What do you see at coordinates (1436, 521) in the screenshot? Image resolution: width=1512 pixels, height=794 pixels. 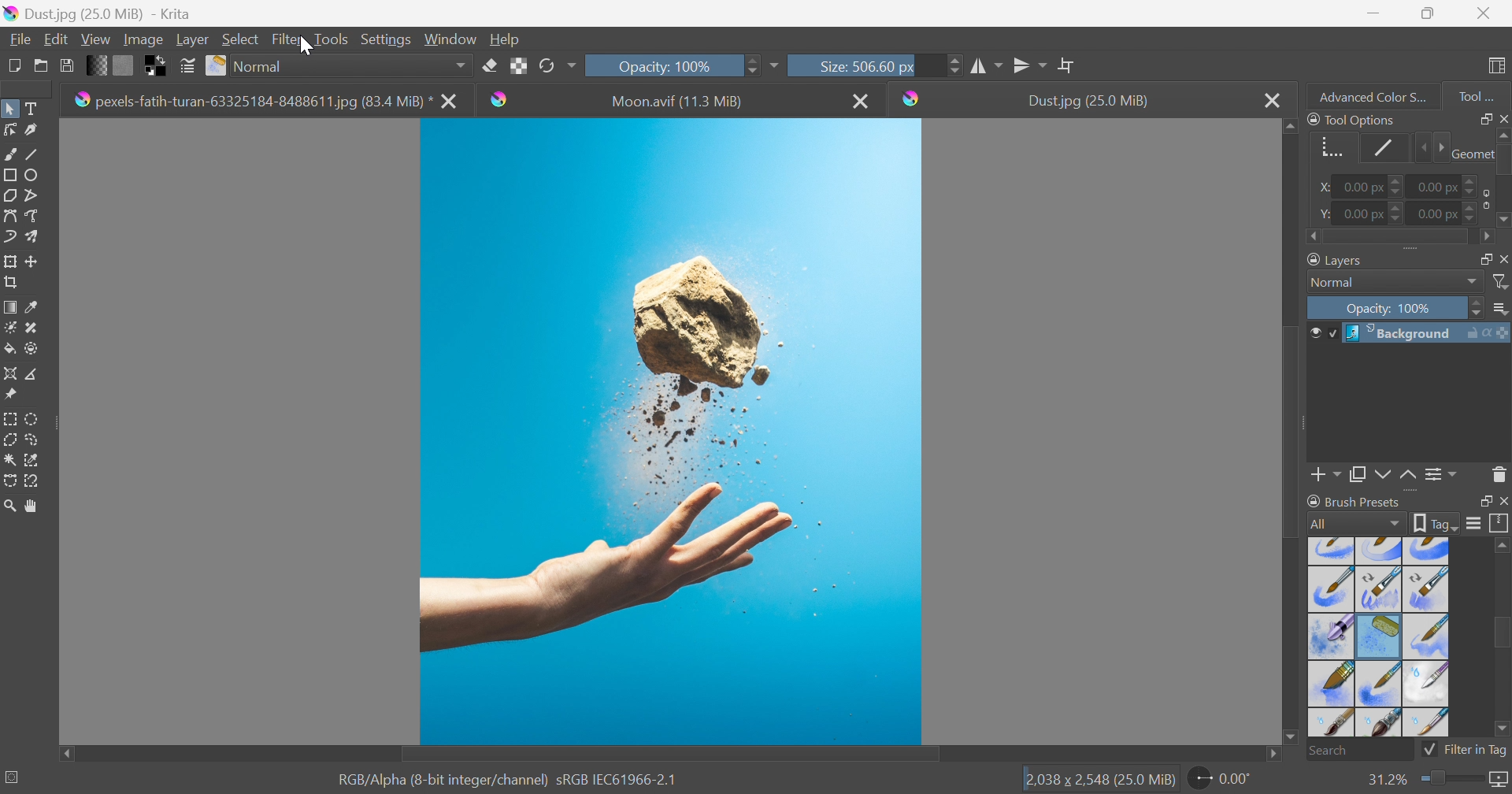 I see `Show the tag box options` at bounding box center [1436, 521].